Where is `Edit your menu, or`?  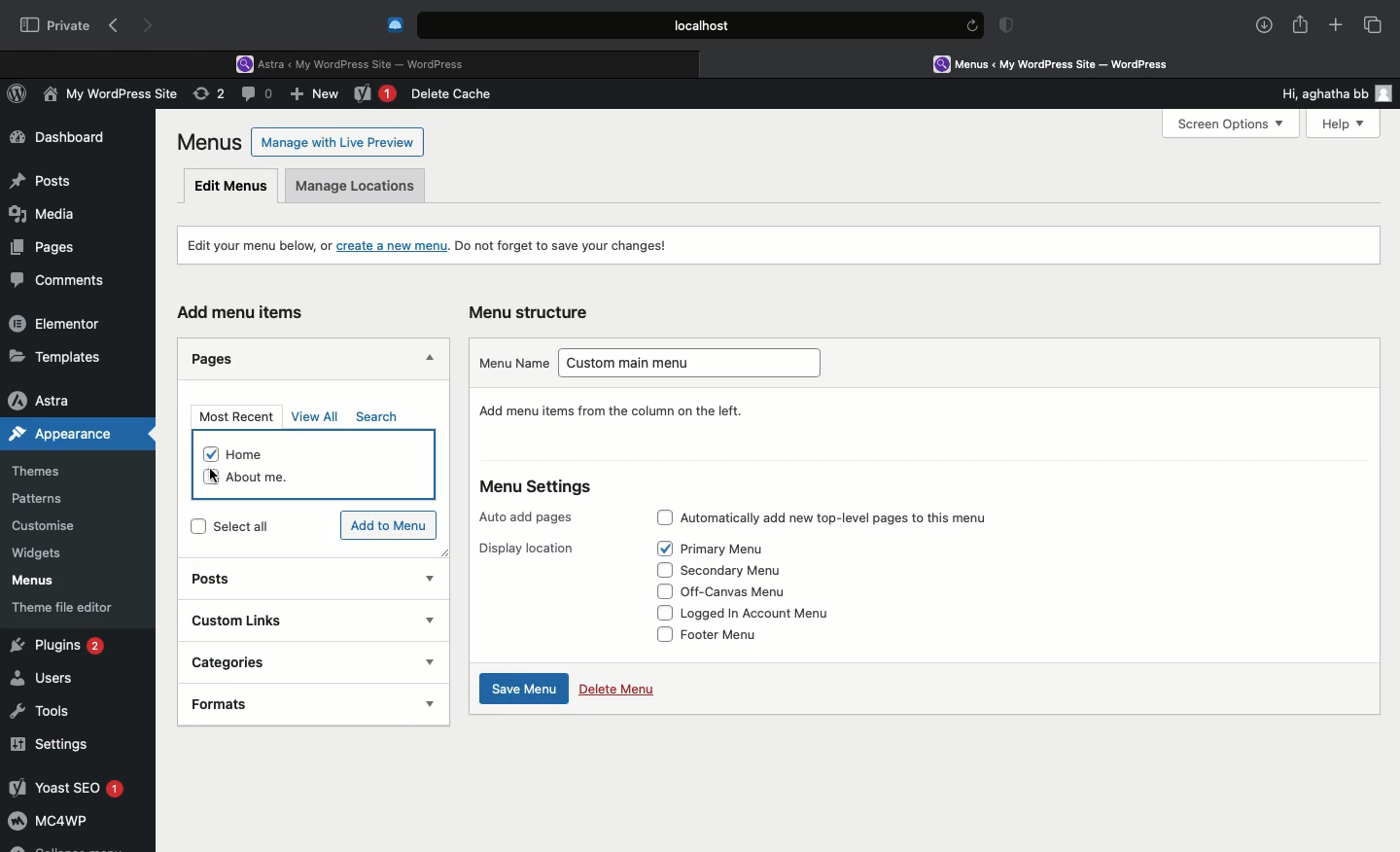
Edit your menu, or is located at coordinates (257, 245).